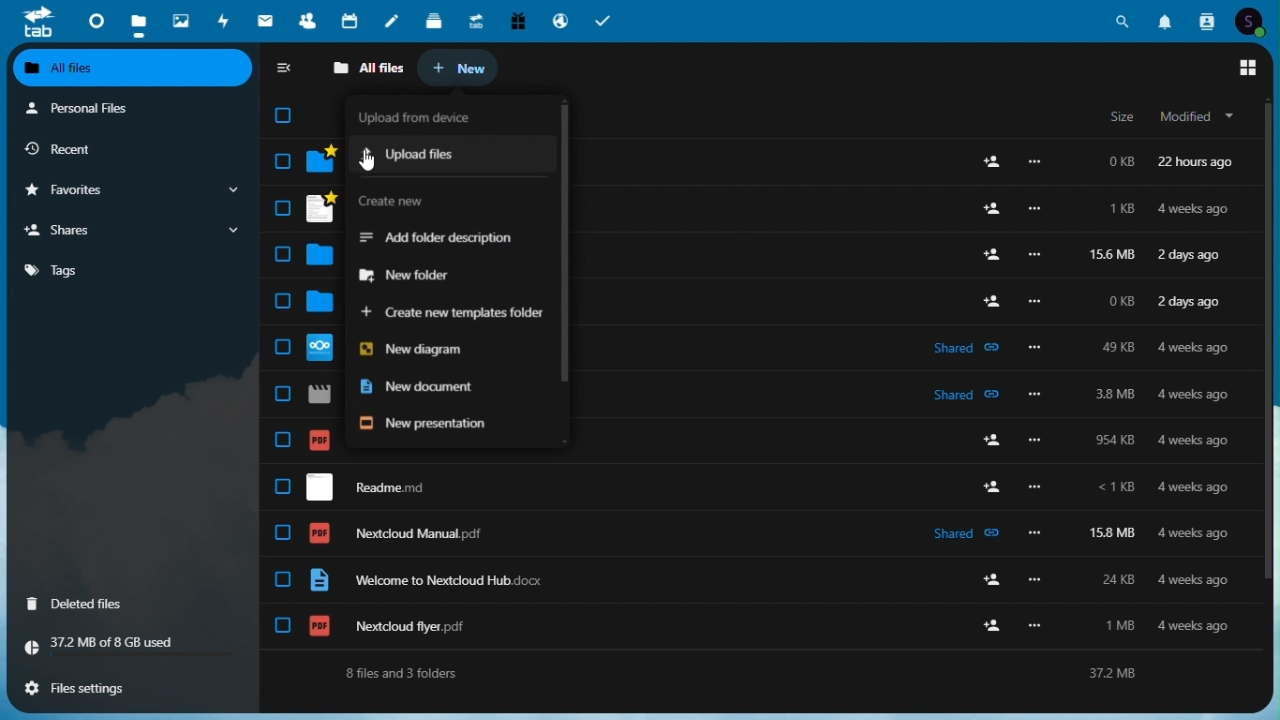 This screenshot has height=720, width=1280. Describe the element at coordinates (990, 209) in the screenshot. I see `add user` at that location.